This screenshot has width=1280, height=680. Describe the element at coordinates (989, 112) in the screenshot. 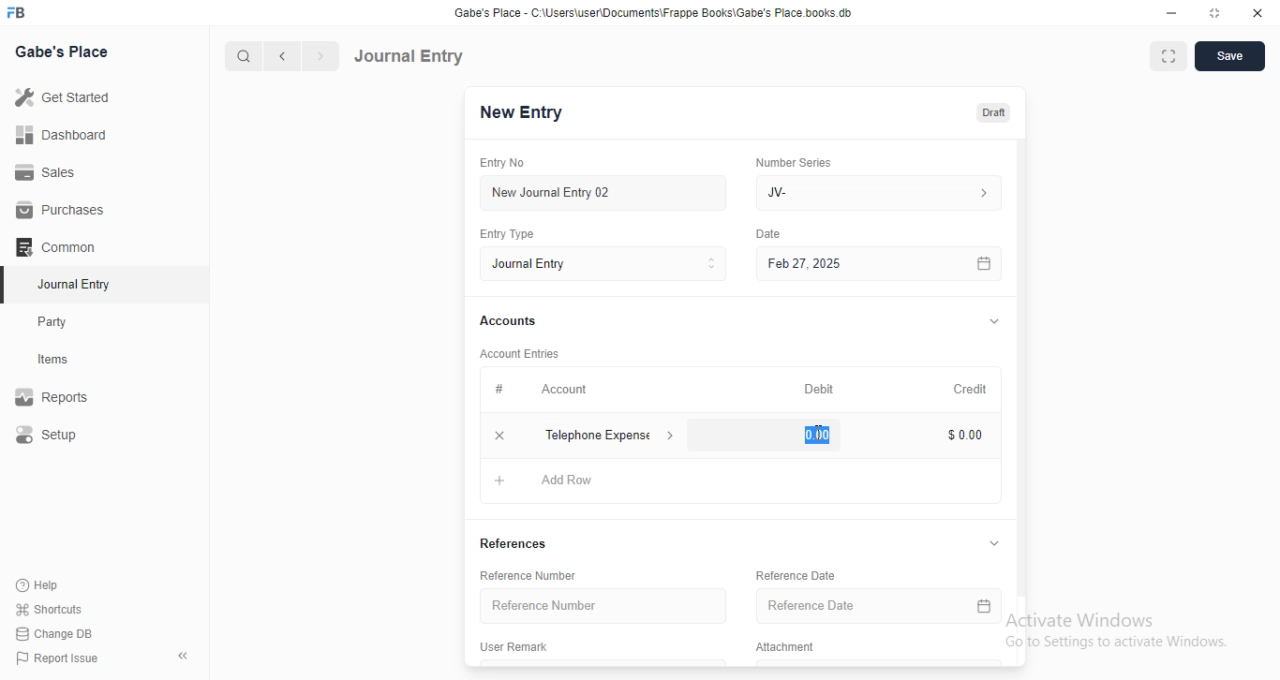

I see `Draft` at that location.